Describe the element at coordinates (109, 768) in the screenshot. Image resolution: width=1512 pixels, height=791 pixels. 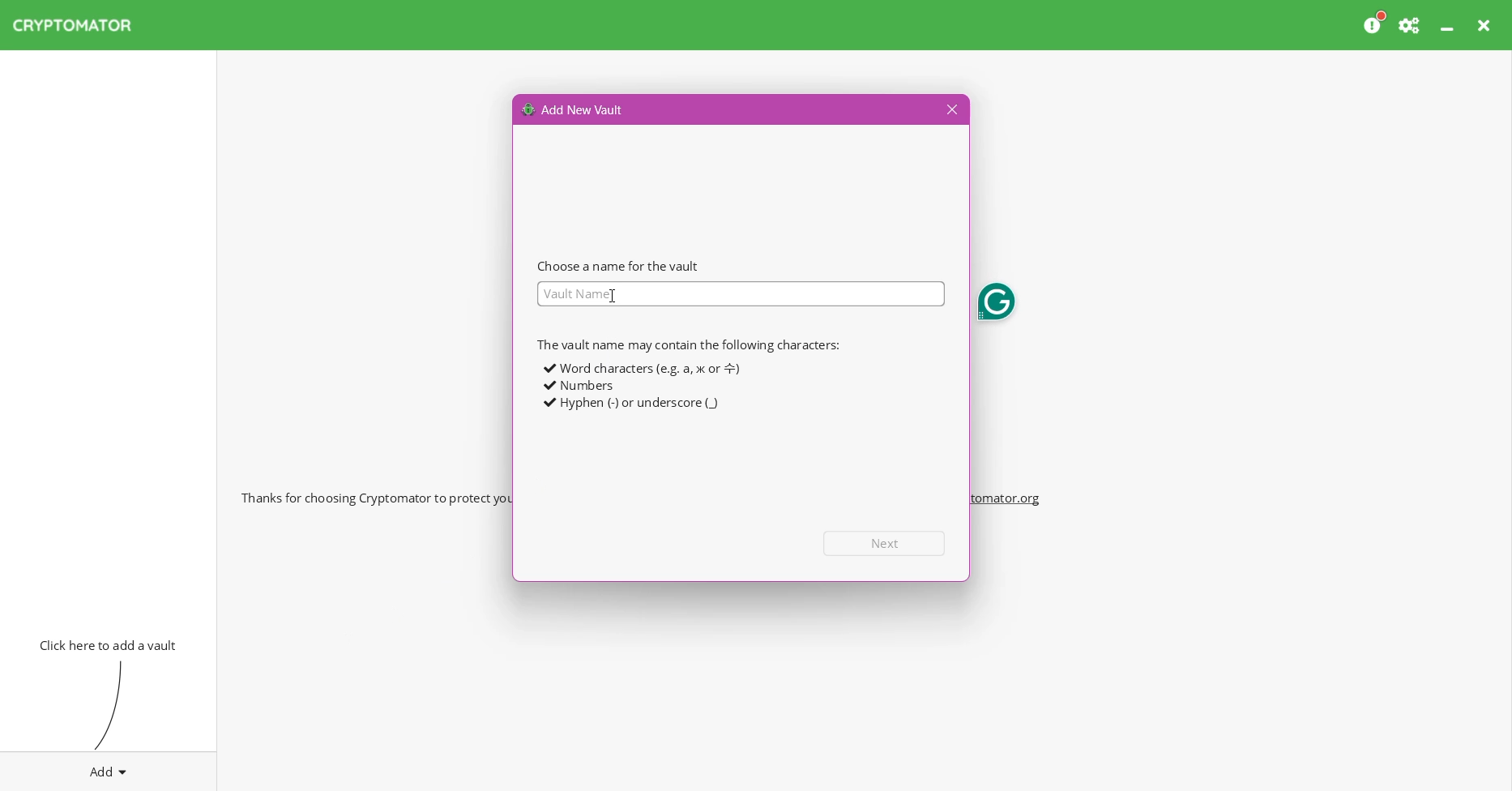
I see `Add` at that location.